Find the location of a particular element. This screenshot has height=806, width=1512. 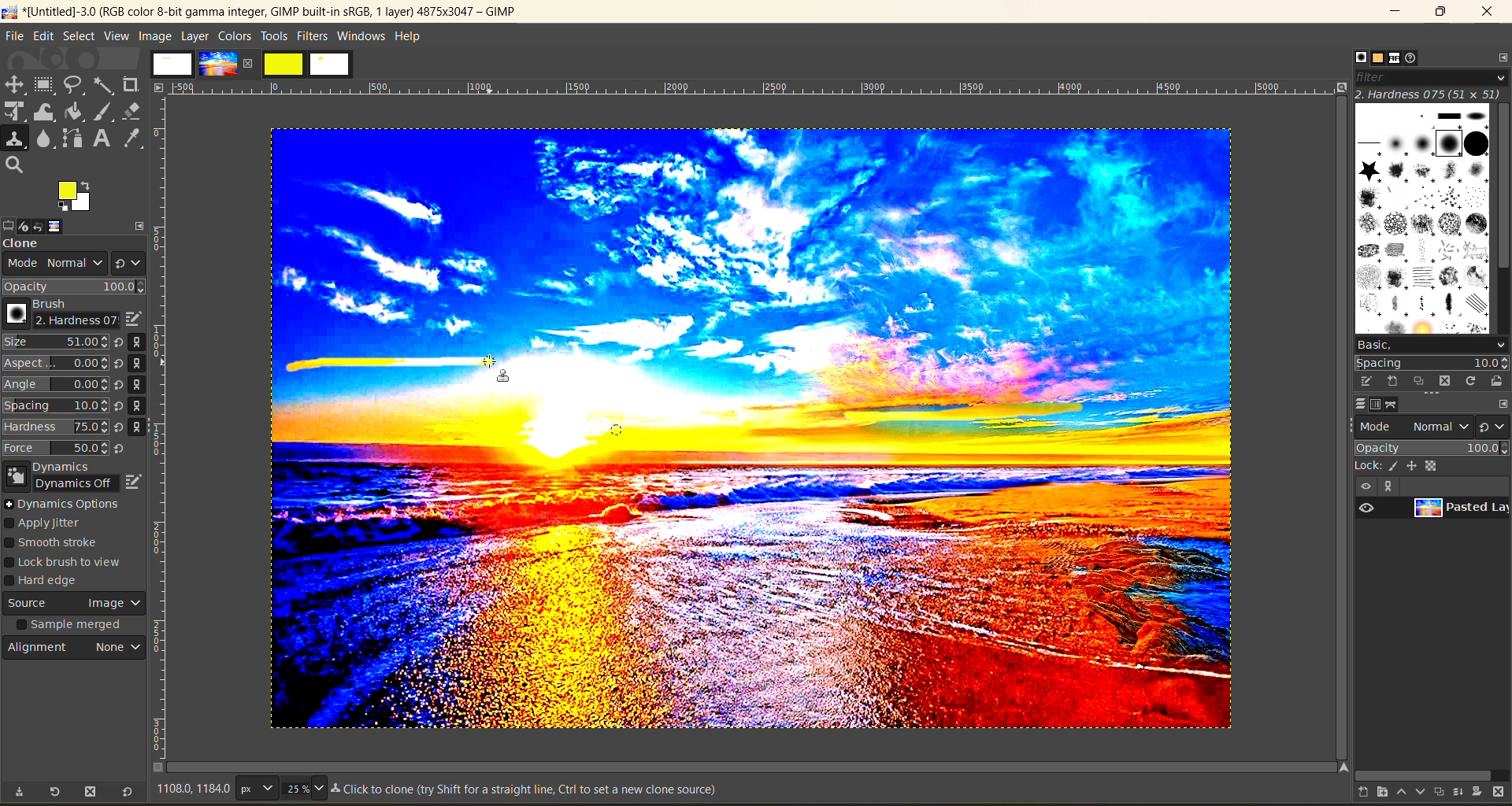

cursor is located at coordinates (501, 381).